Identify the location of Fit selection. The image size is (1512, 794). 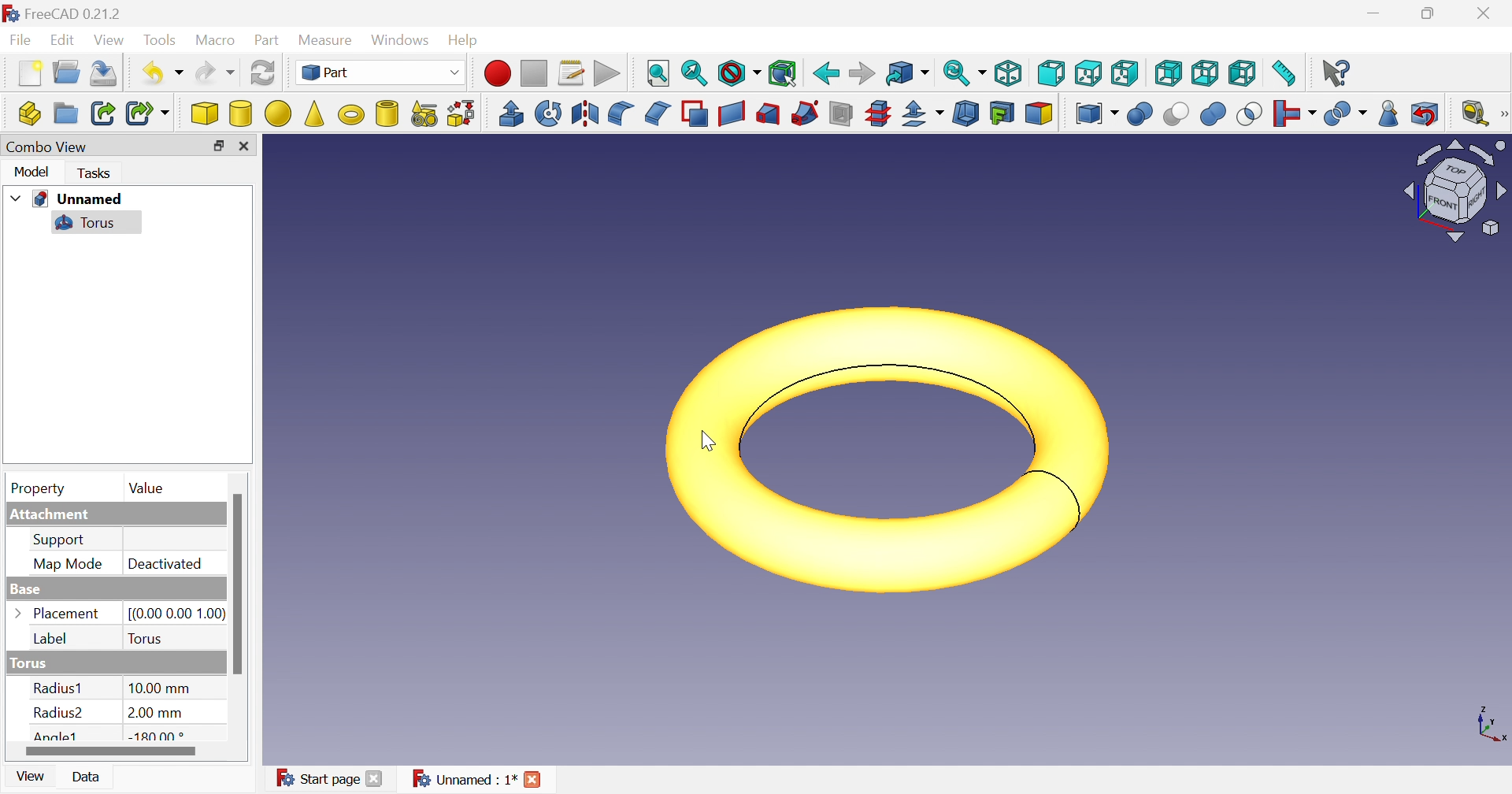
(692, 72).